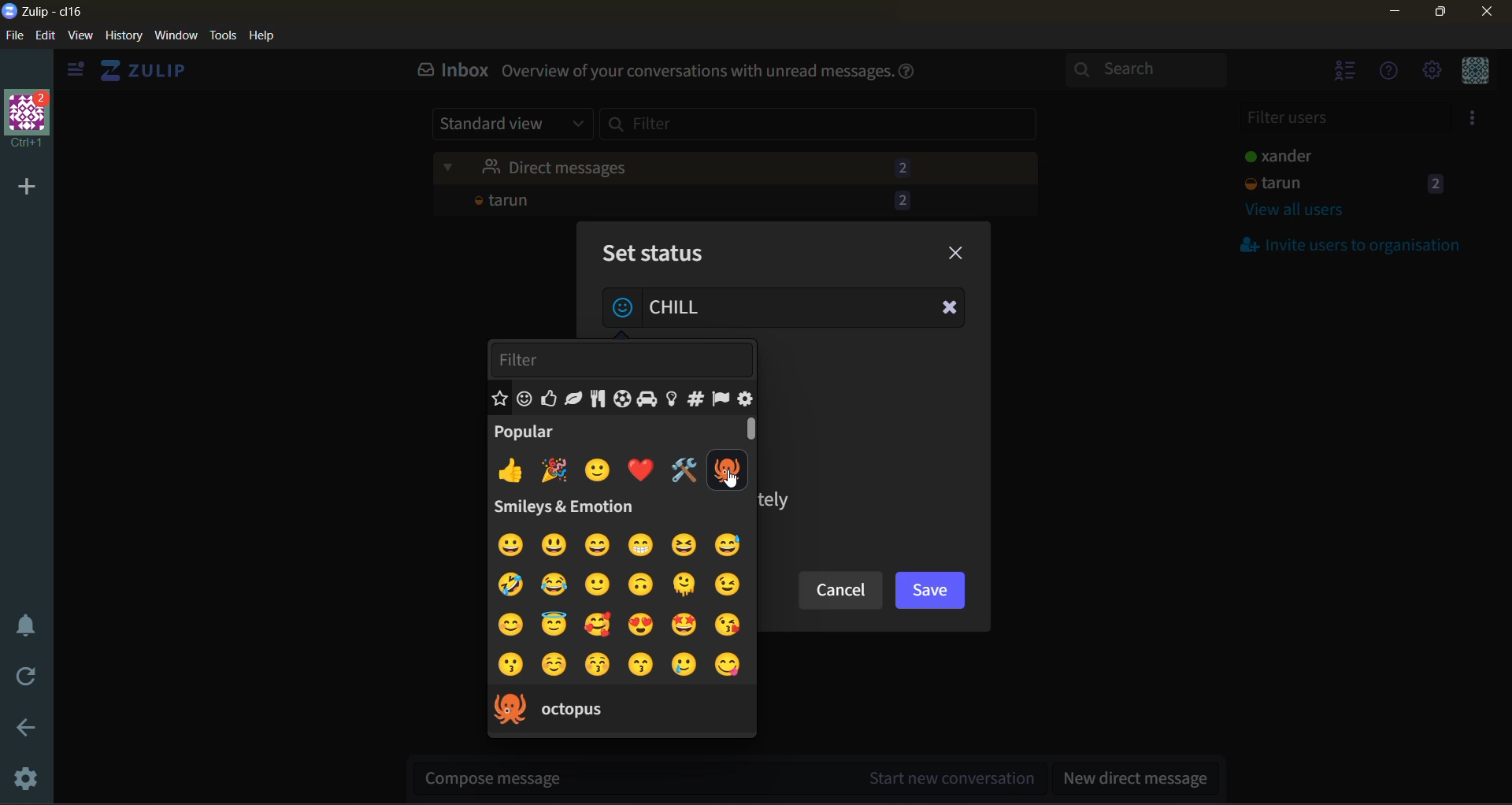 The height and width of the screenshot is (805, 1512). What do you see at coordinates (24, 632) in the screenshot?
I see `enable do not disturb` at bounding box center [24, 632].